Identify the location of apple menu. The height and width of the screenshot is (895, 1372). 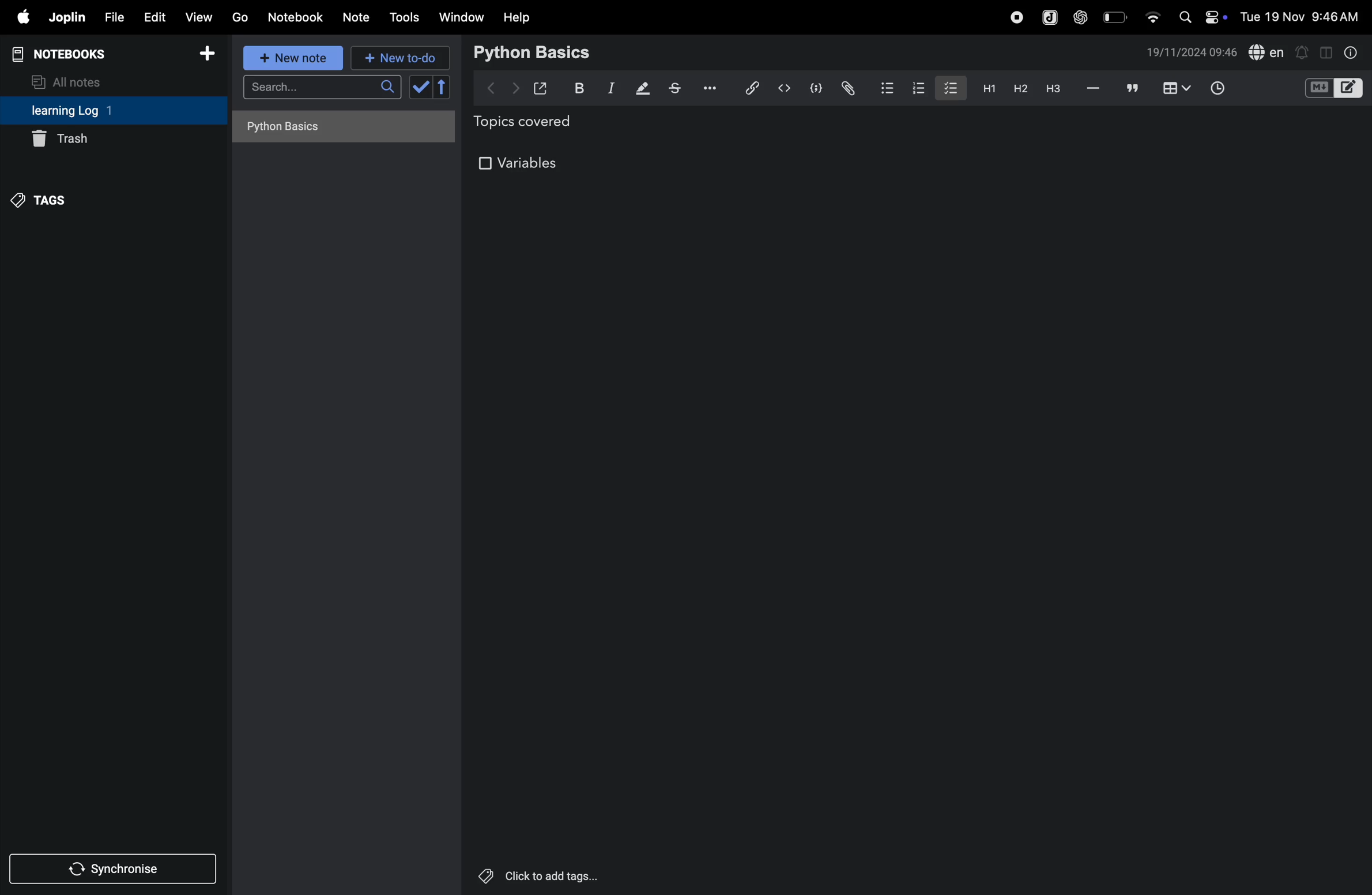
(18, 18).